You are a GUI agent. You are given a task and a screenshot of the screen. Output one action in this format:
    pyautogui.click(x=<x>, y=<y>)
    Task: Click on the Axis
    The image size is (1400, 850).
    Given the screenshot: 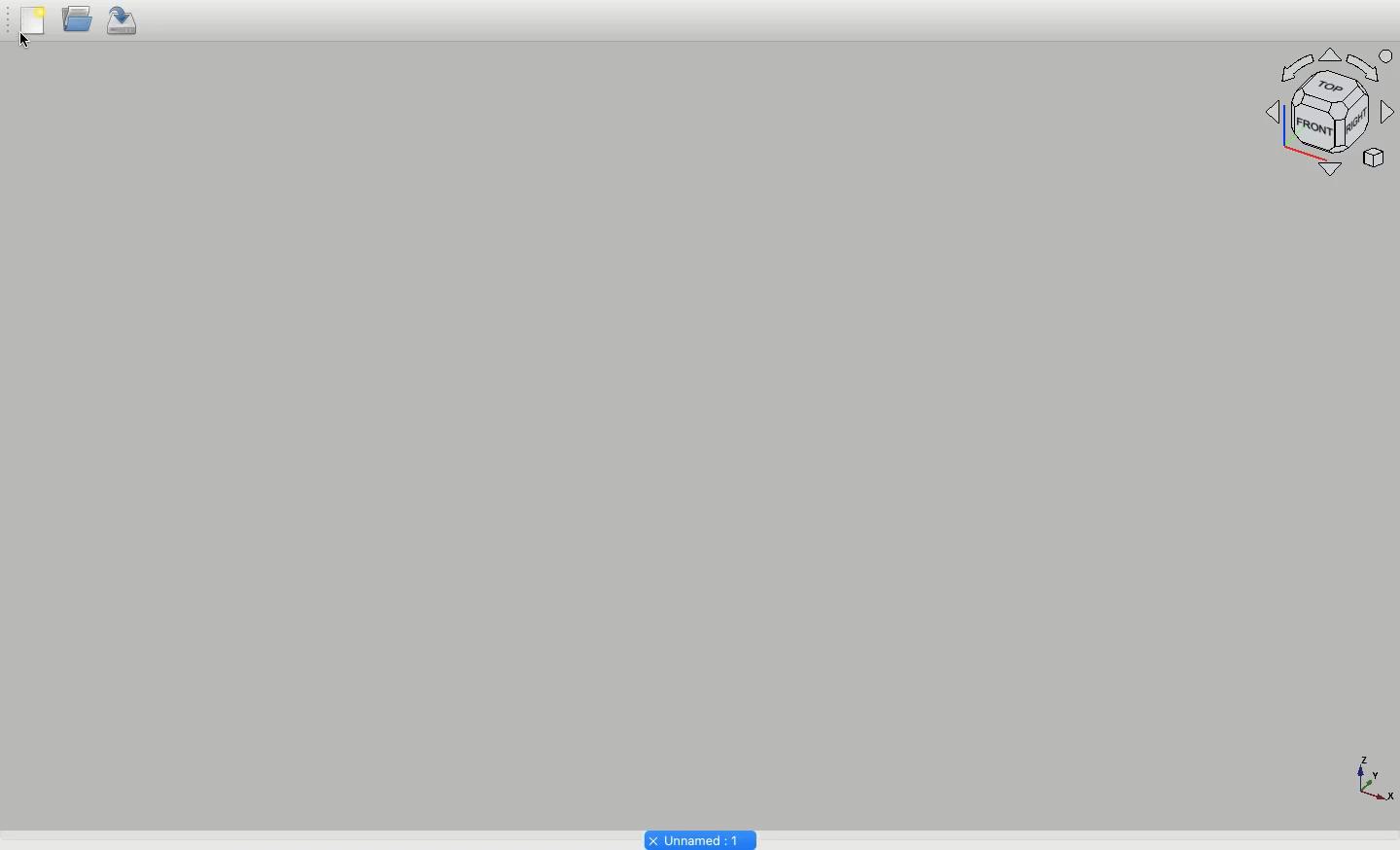 What is the action you would take?
    pyautogui.click(x=1372, y=776)
    